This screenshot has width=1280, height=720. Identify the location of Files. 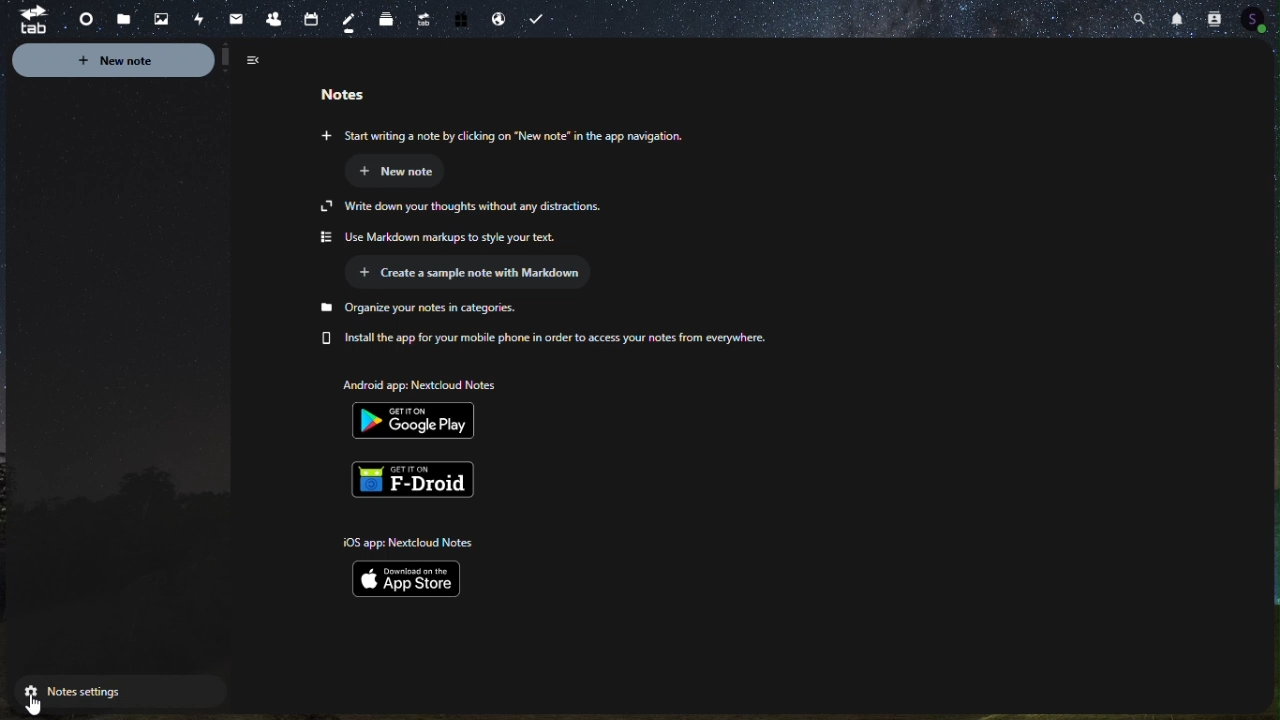
(124, 15).